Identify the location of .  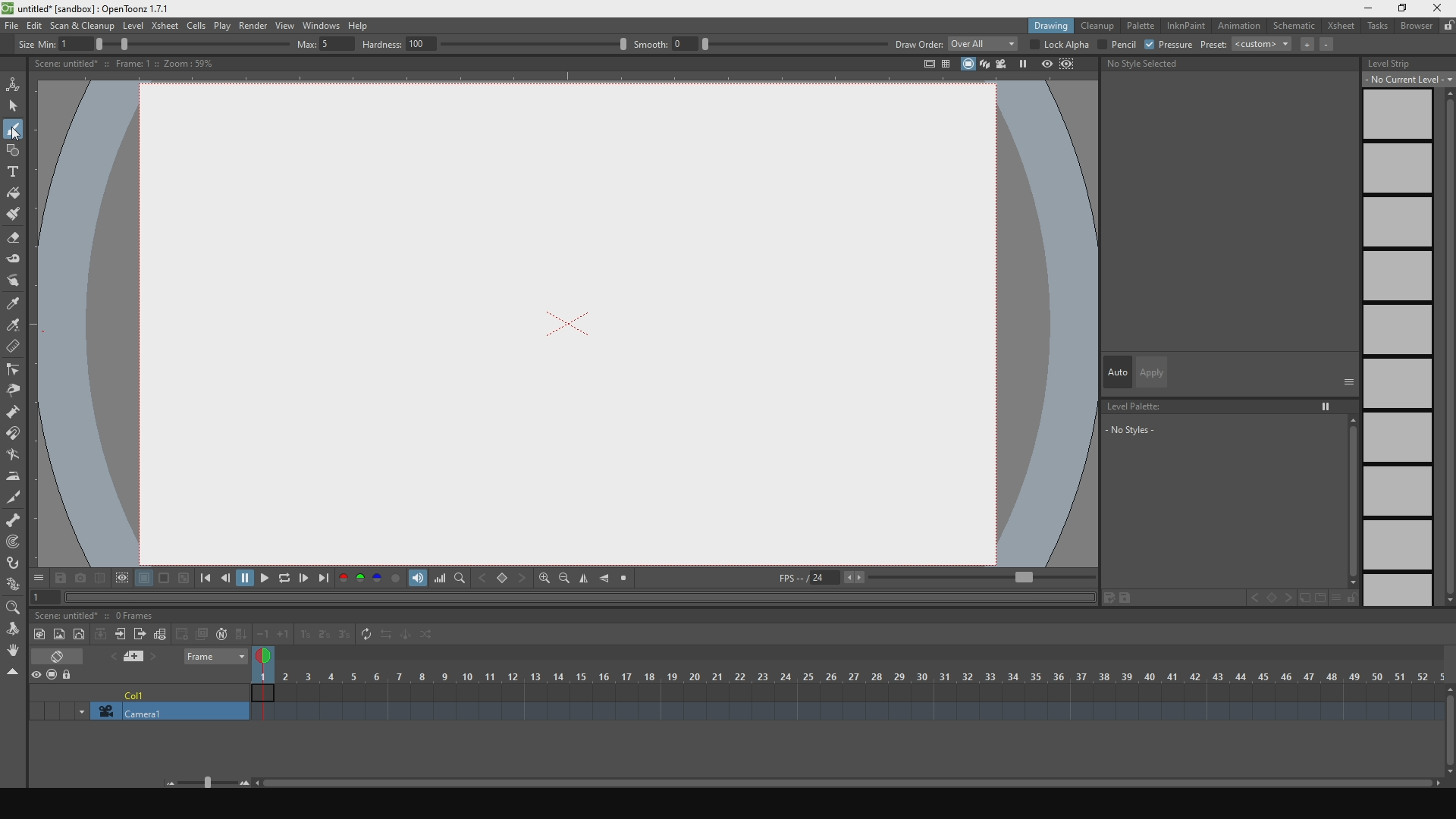
(1329, 45).